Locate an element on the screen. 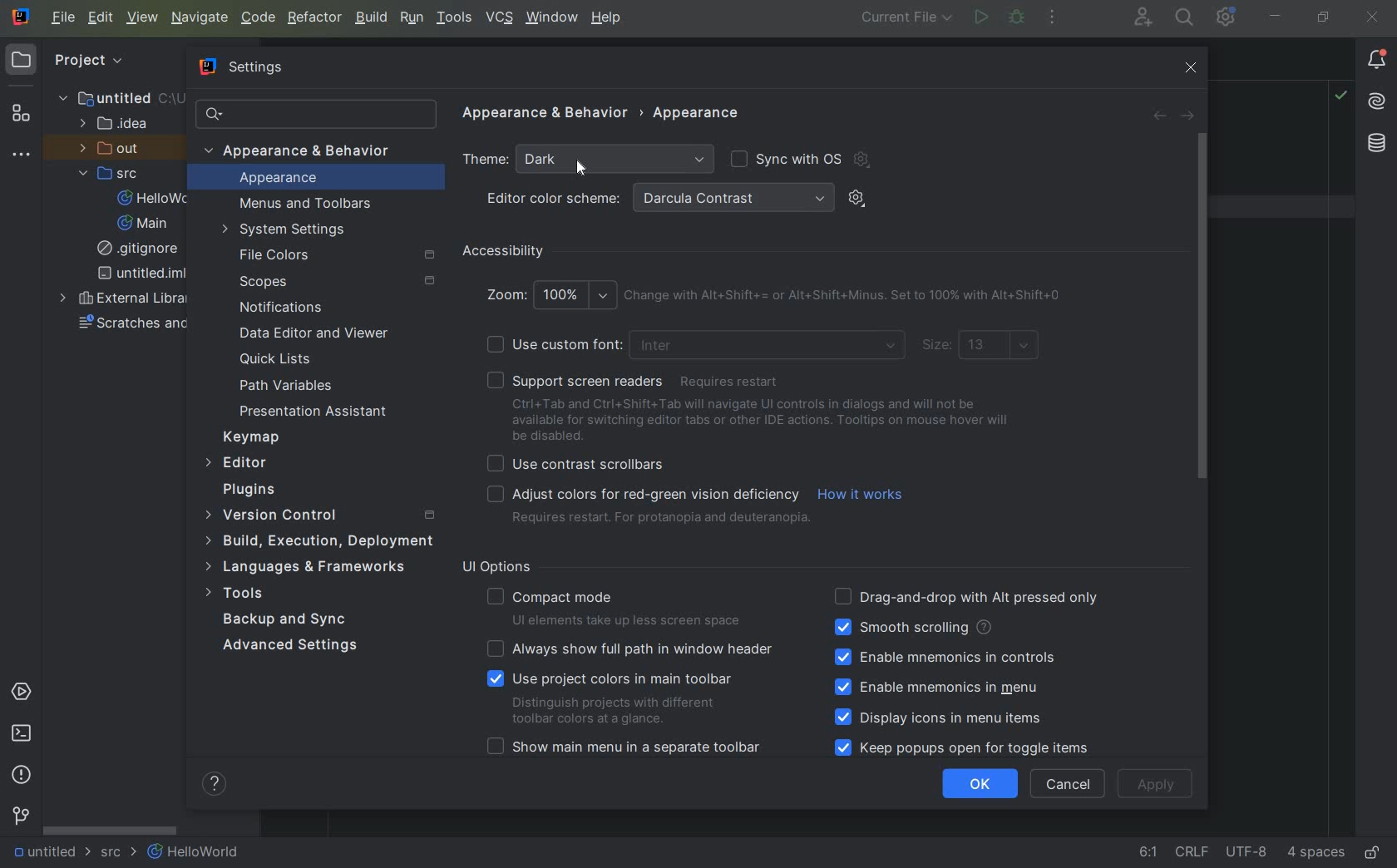  use project colors in main toolbar(checked) is located at coordinates (618, 697).